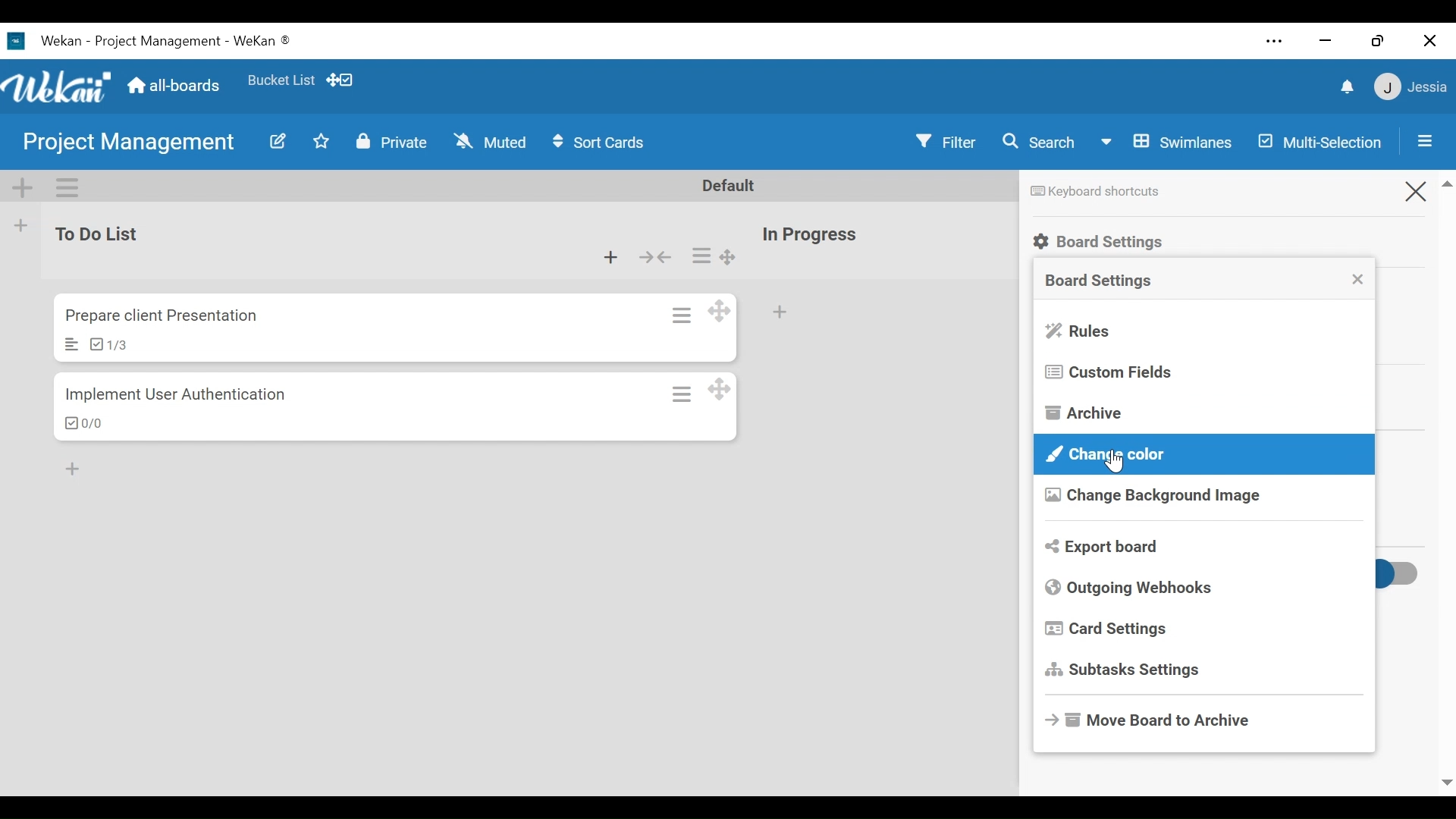 The image size is (1456, 819). Describe the element at coordinates (71, 344) in the screenshot. I see `Description` at that location.